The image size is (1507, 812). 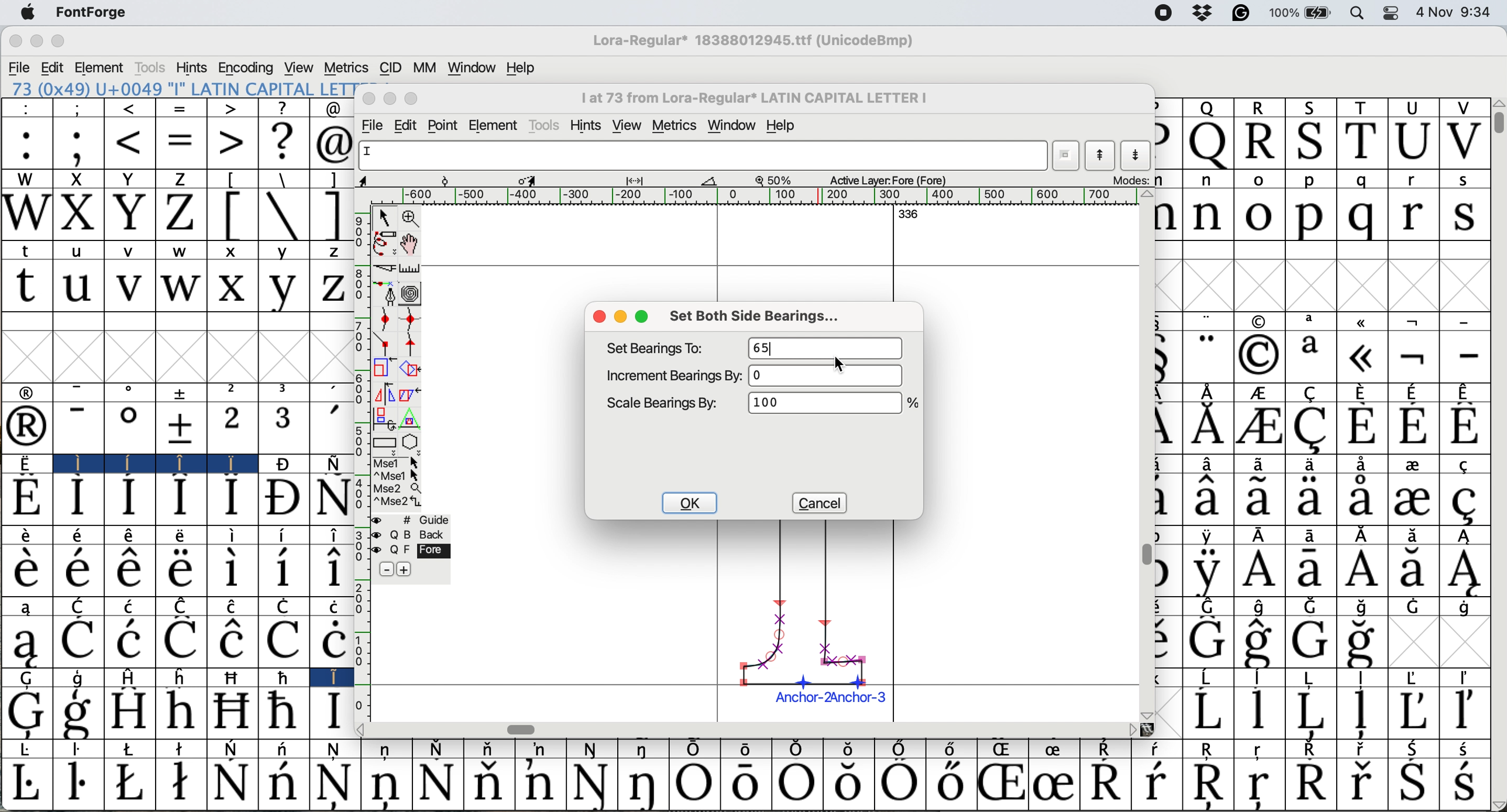 I want to click on modes, so click(x=1132, y=181).